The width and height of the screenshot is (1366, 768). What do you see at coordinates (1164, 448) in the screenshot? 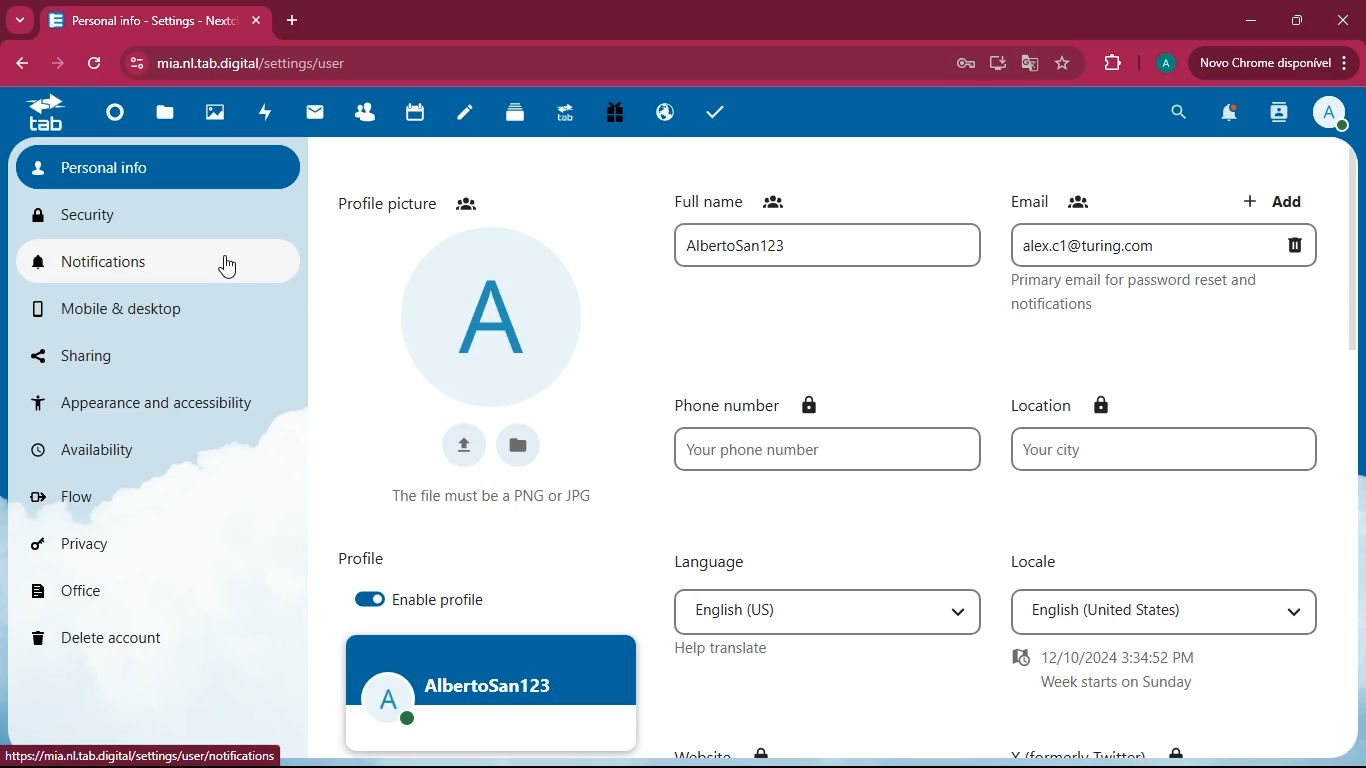
I see `location` at bounding box center [1164, 448].